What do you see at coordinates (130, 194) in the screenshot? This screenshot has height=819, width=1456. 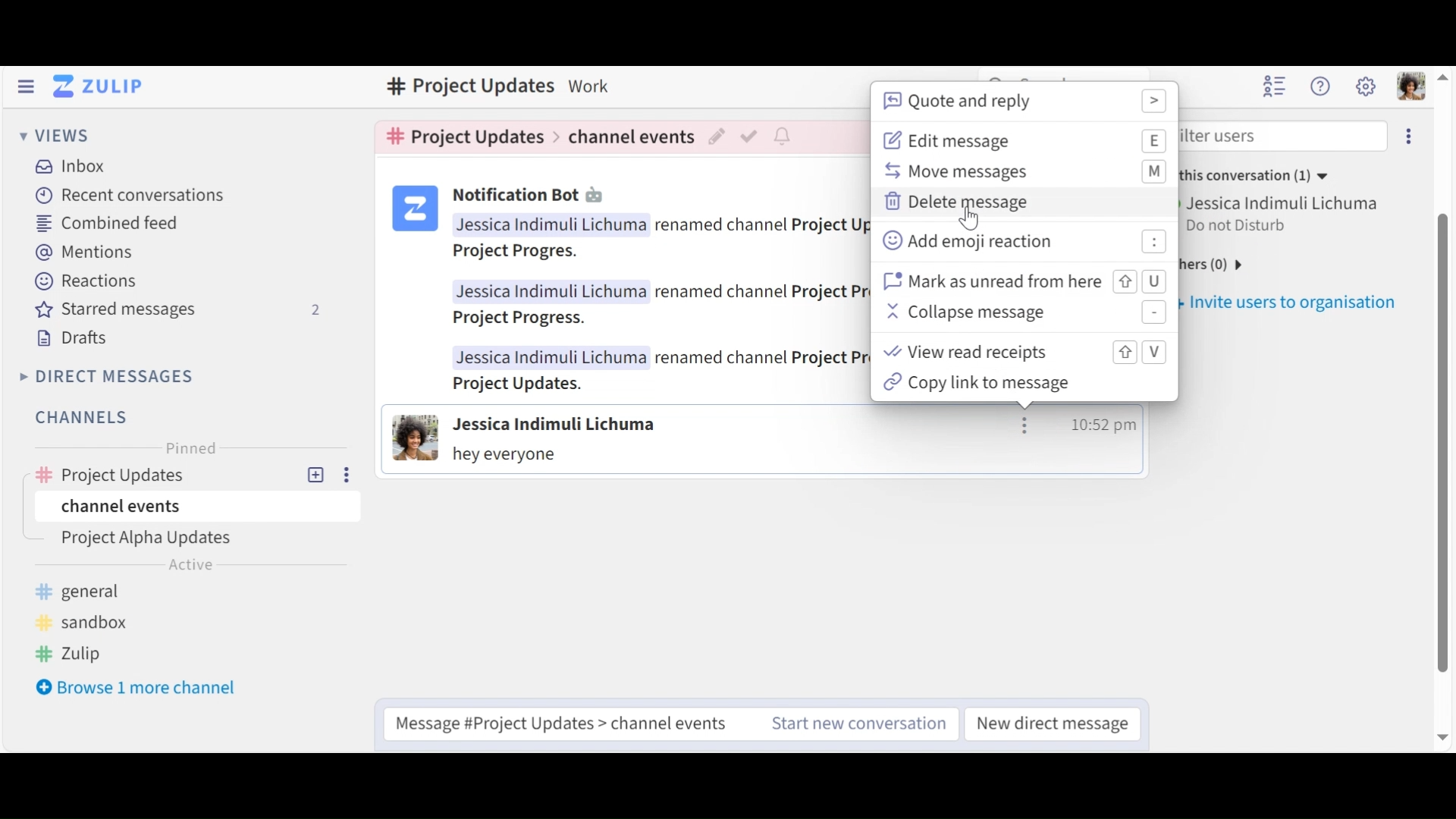 I see `Recent Conversations` at bounding box center [130, 194].